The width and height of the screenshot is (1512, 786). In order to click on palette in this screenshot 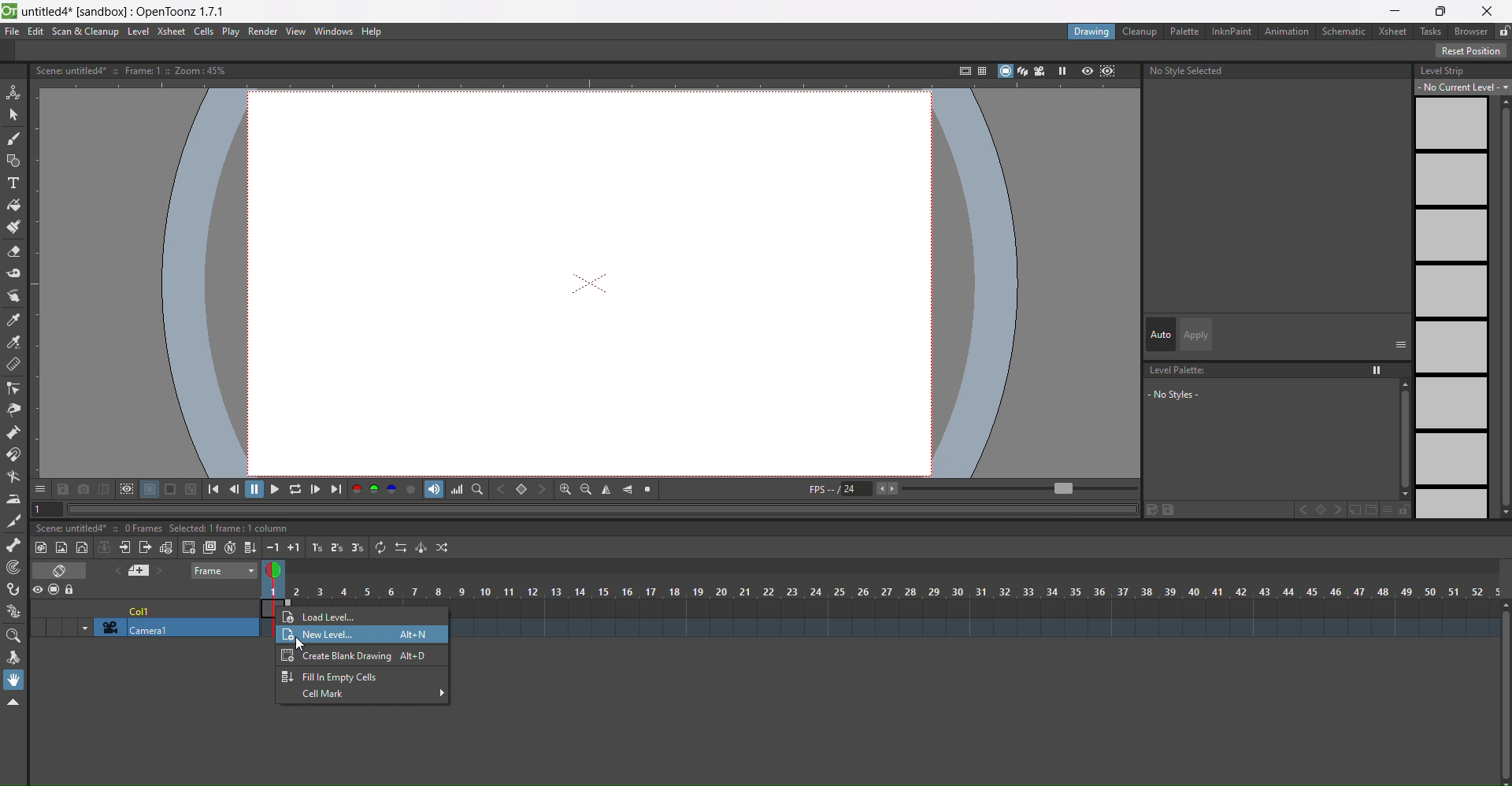, I will do `click(1183, 31)`.